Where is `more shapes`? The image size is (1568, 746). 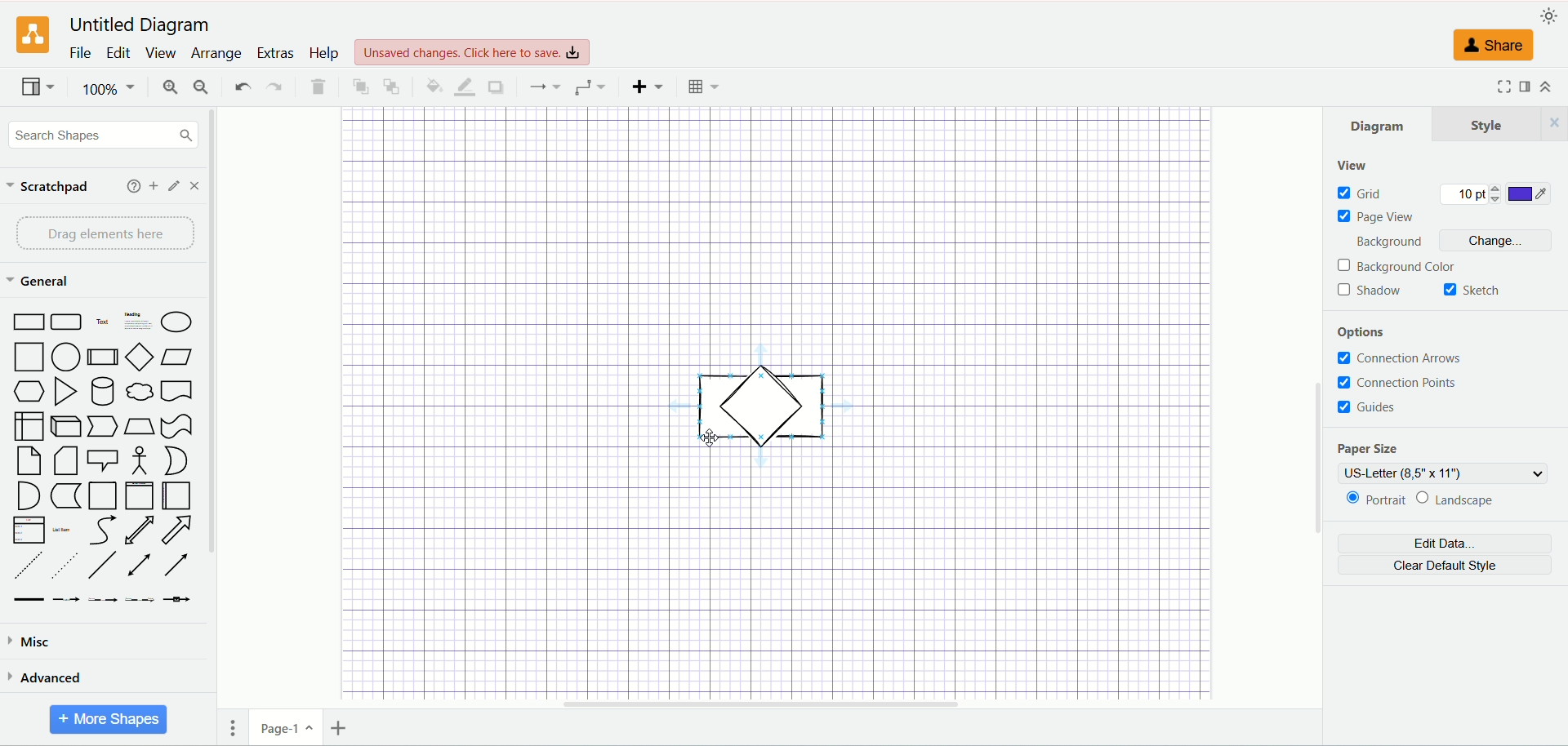
more shapes is located at coordinates (109, 717).